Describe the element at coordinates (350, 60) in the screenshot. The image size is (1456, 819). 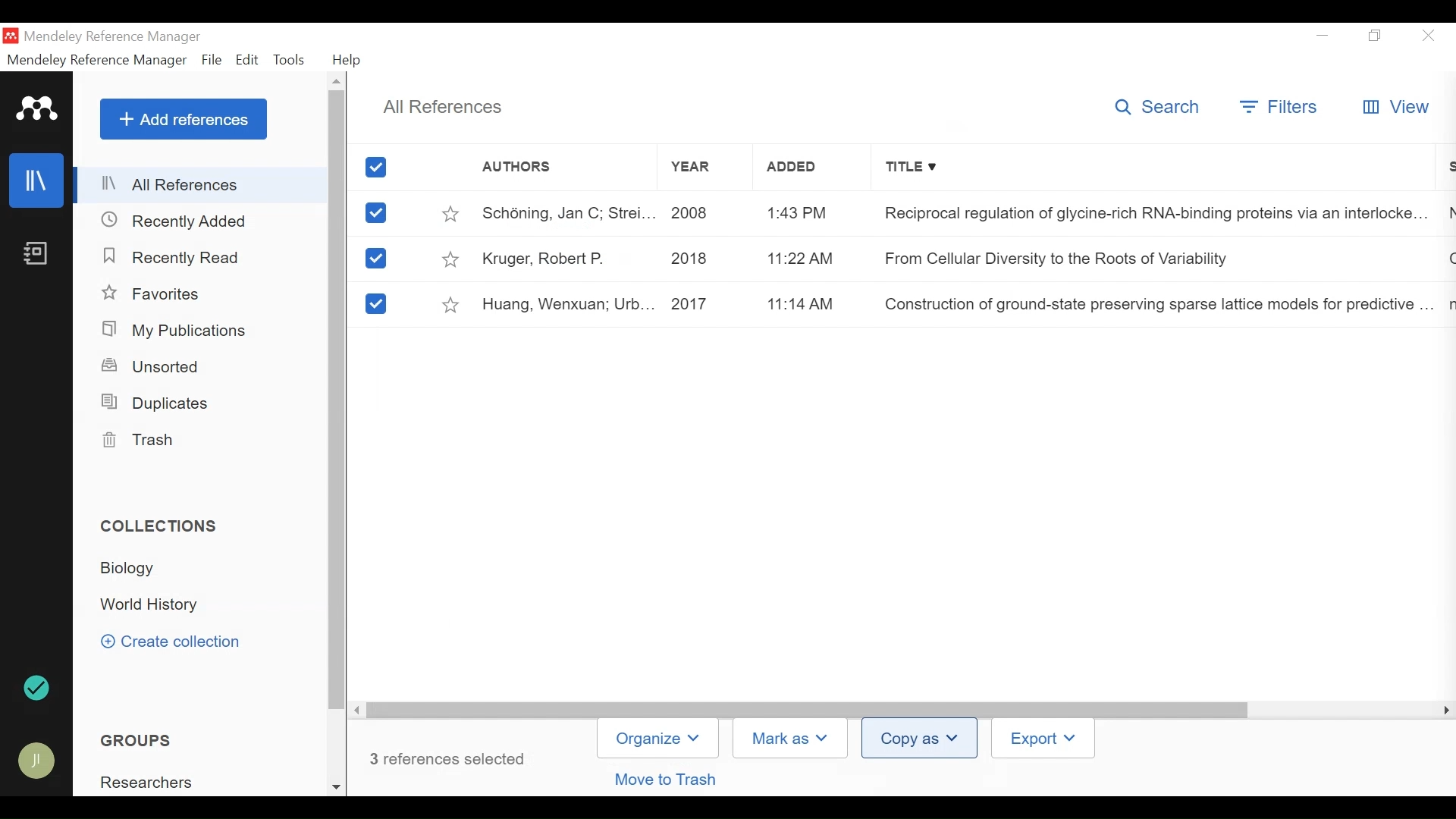
I see `Help` at that location.